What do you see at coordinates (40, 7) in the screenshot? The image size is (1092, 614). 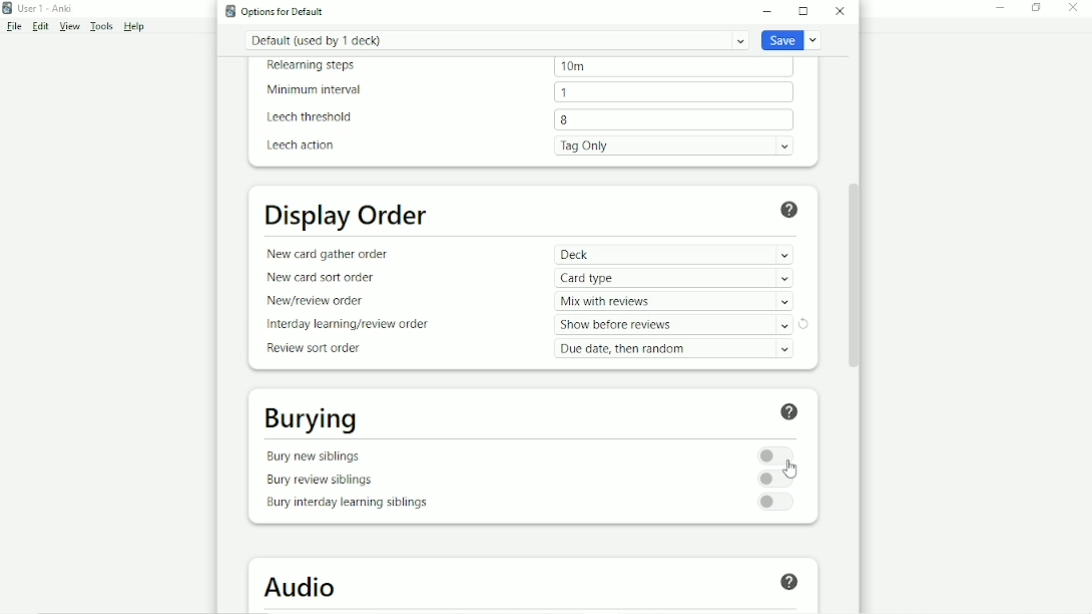 I see `User 1 - Anki` at bounding box center [40, 7].